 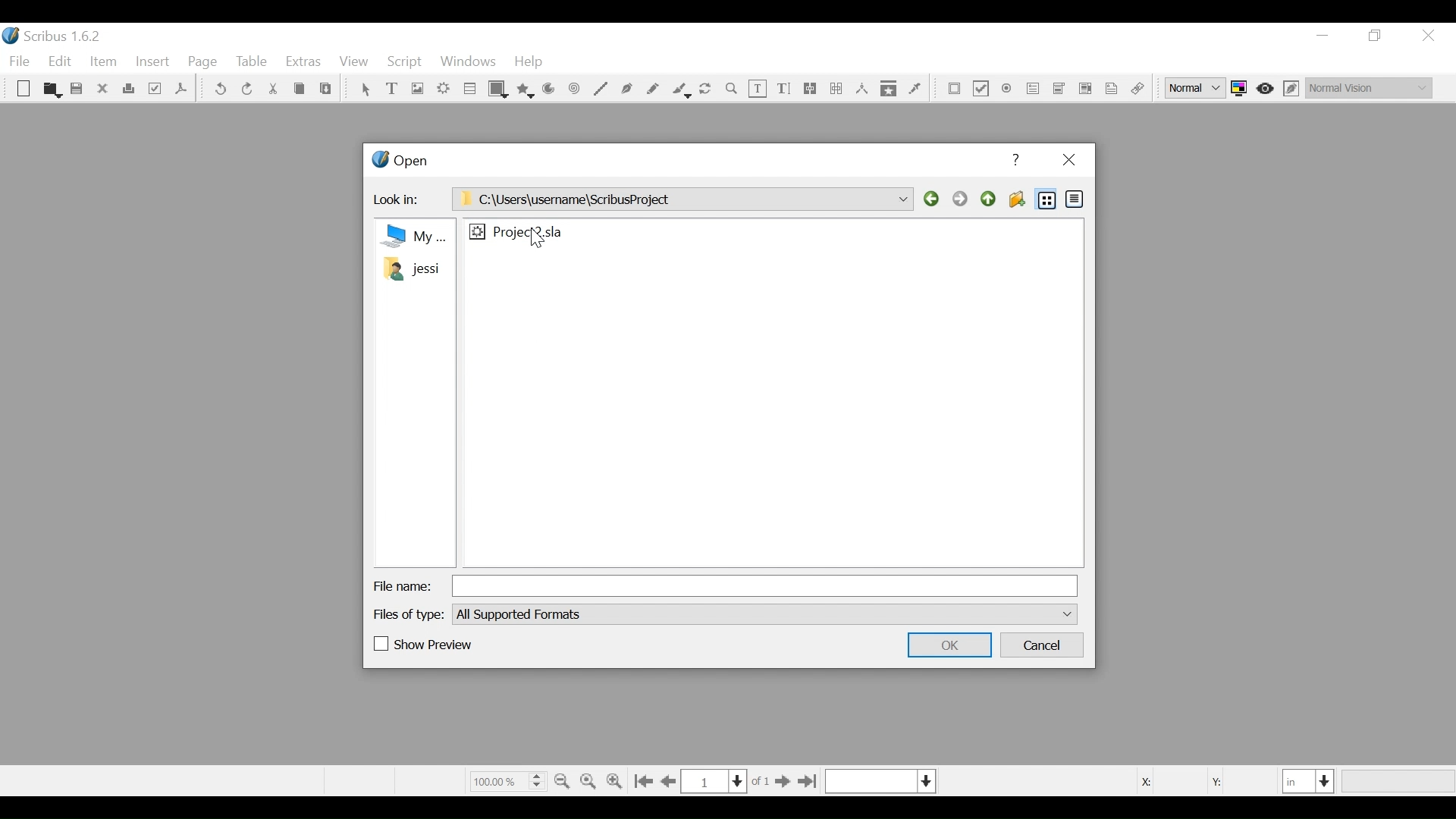 I want to click on Preflight Verifier, so click(x=156, y=90).